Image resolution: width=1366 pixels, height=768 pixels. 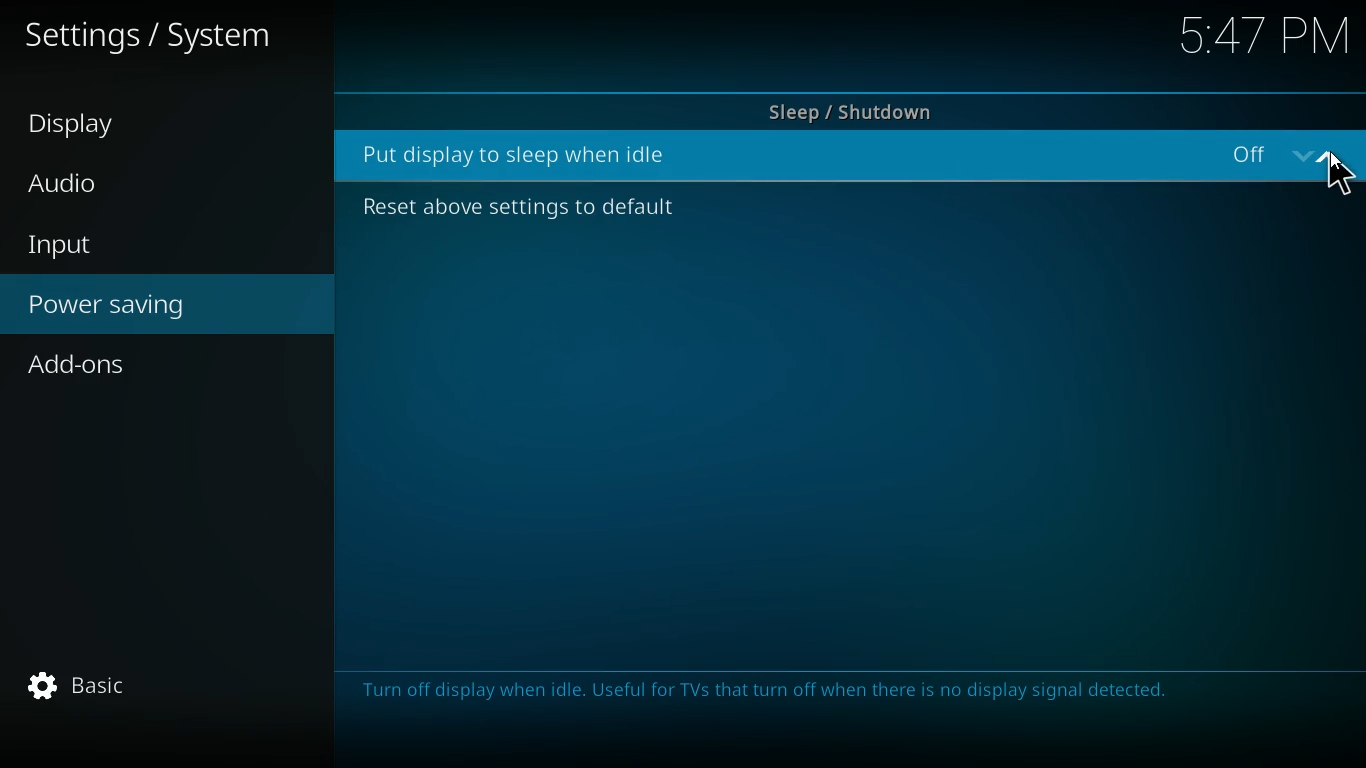 What do you see at coordinates (524, 154) in the screenshot?
I see `put display to sleep when idle` at bounding box center [524, 154].